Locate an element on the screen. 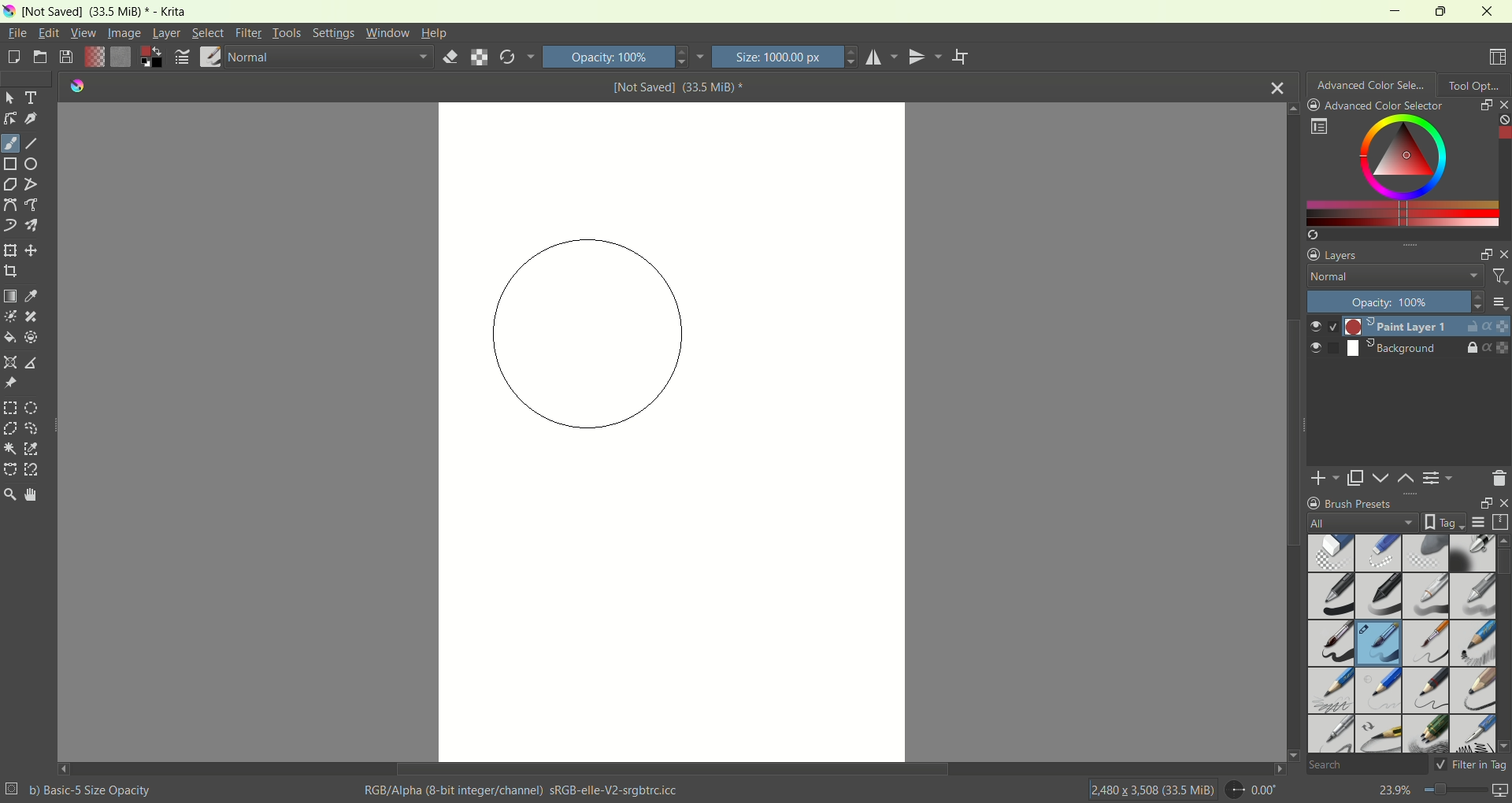  save is located at coordinates (67, 57).